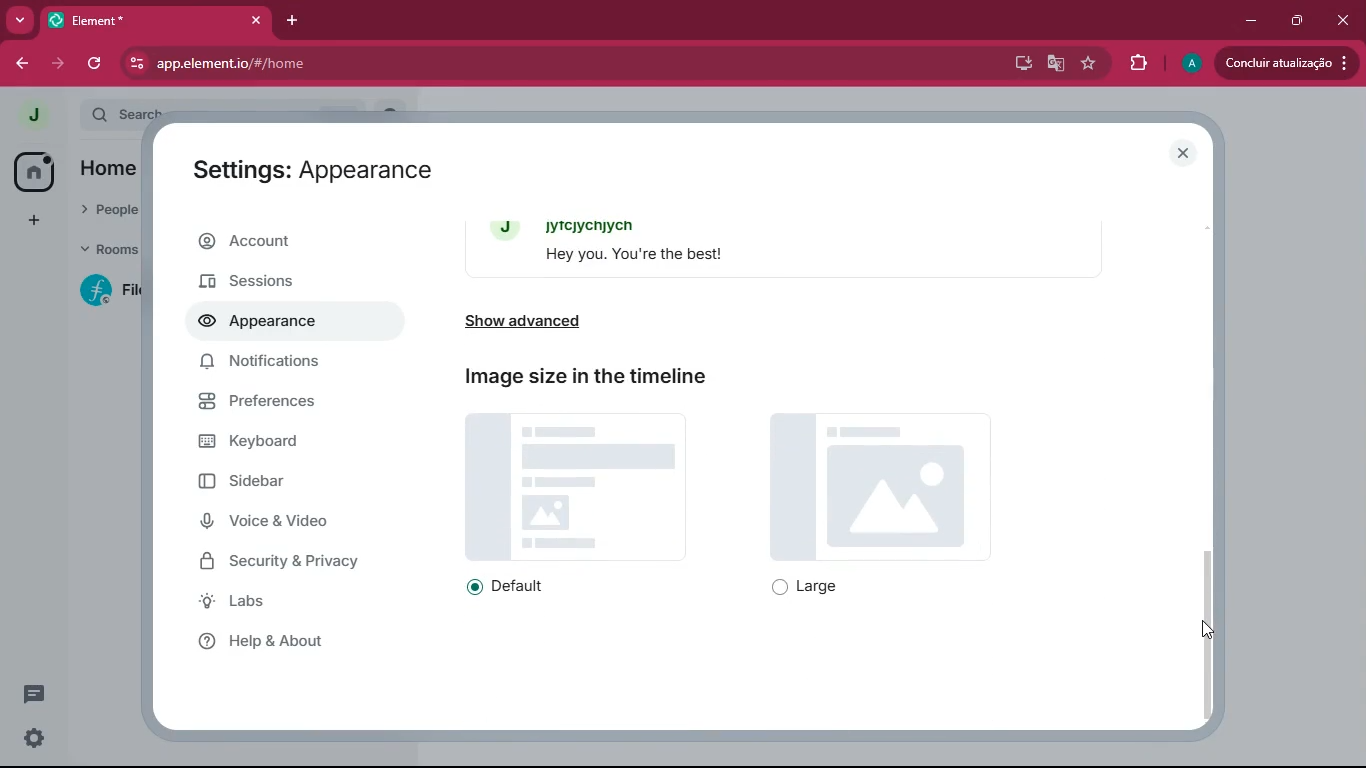  Describe the element at coordinates (1019, 62) in the screenshot. I see `desktop` at that location.